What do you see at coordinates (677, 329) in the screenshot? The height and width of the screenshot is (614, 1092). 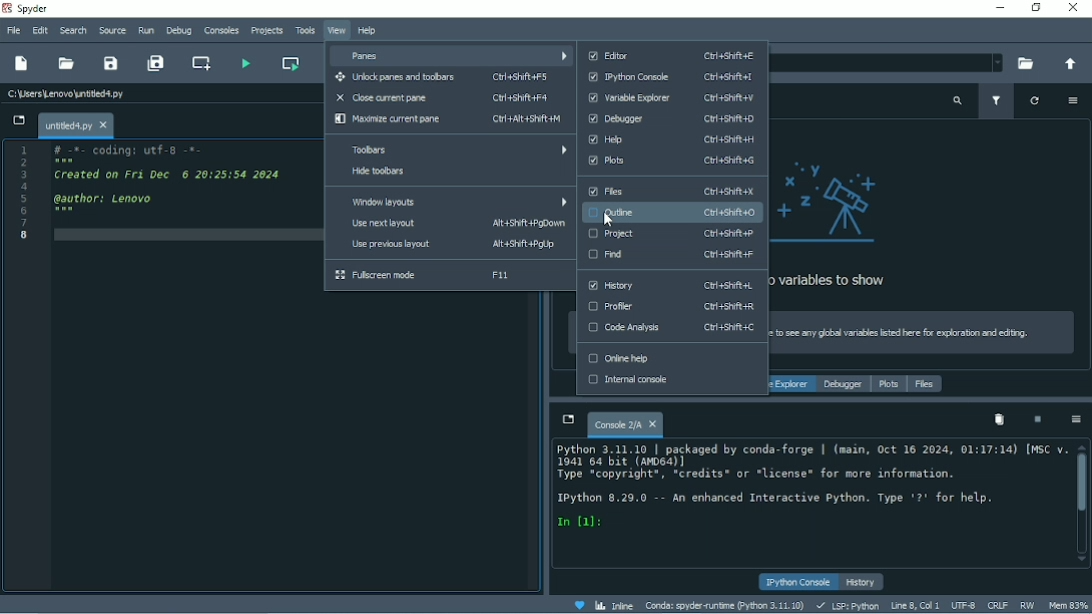 I see `Code Analysis` at bounding box center [677, 329].